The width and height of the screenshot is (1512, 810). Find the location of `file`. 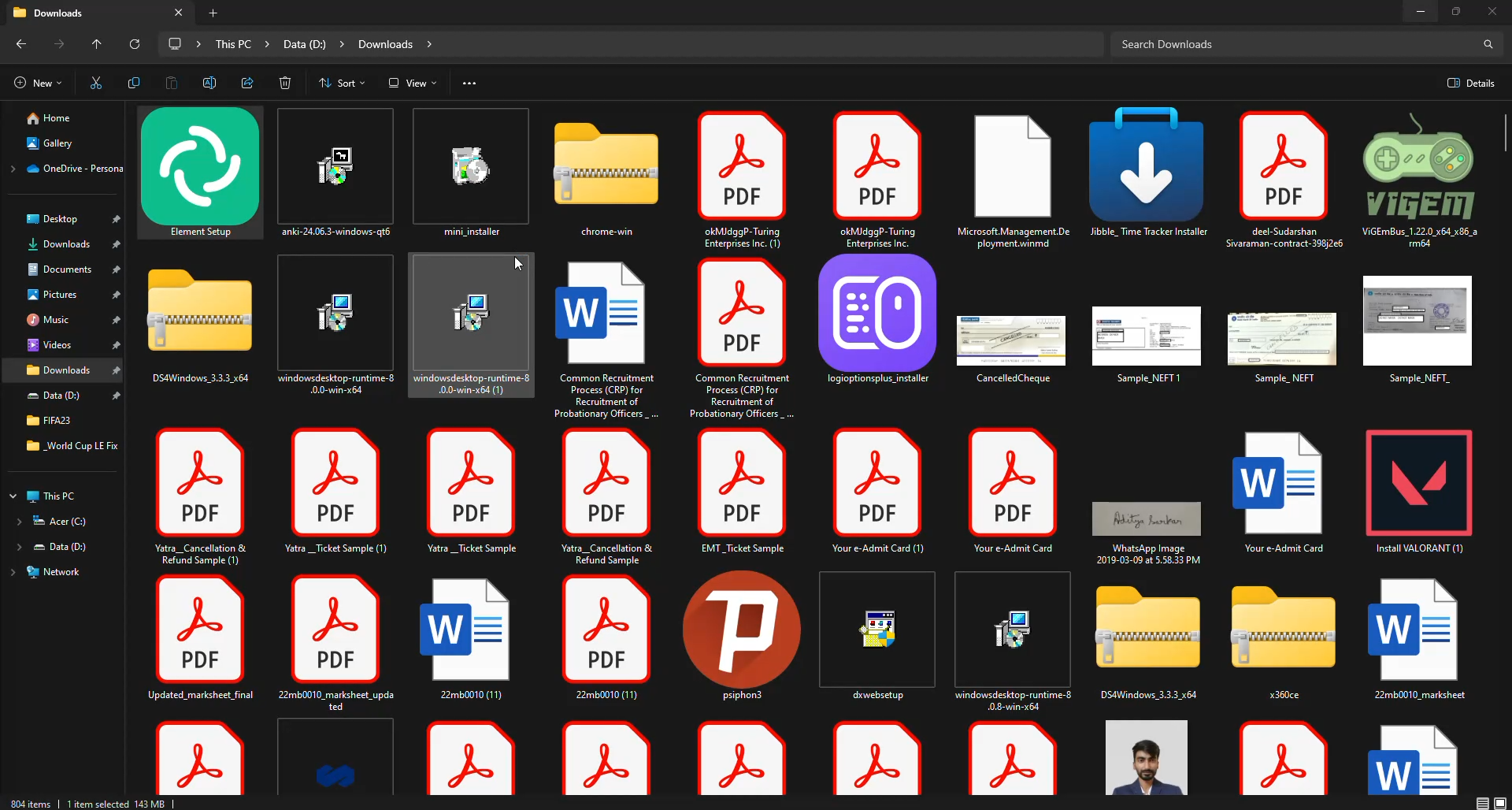

file is located at coordinates (1148, 522).